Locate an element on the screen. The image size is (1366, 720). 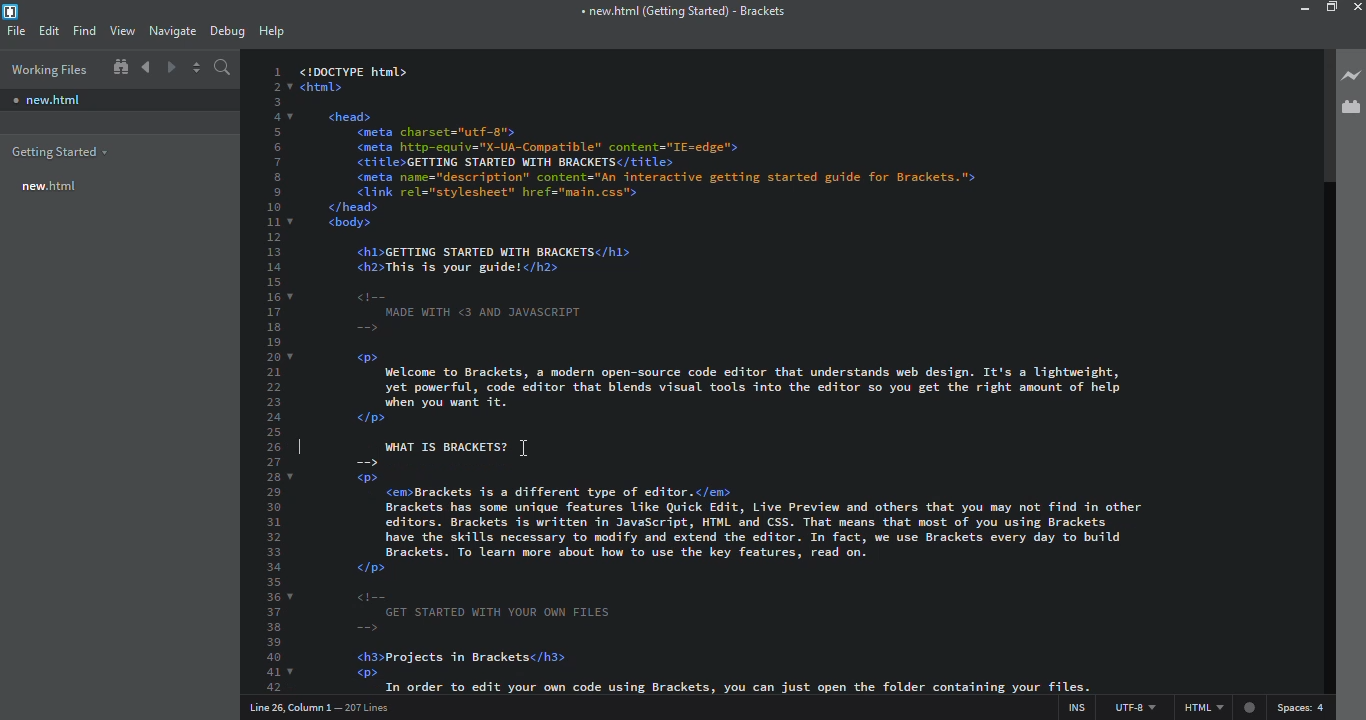
help is located at coordinates (273, 32).